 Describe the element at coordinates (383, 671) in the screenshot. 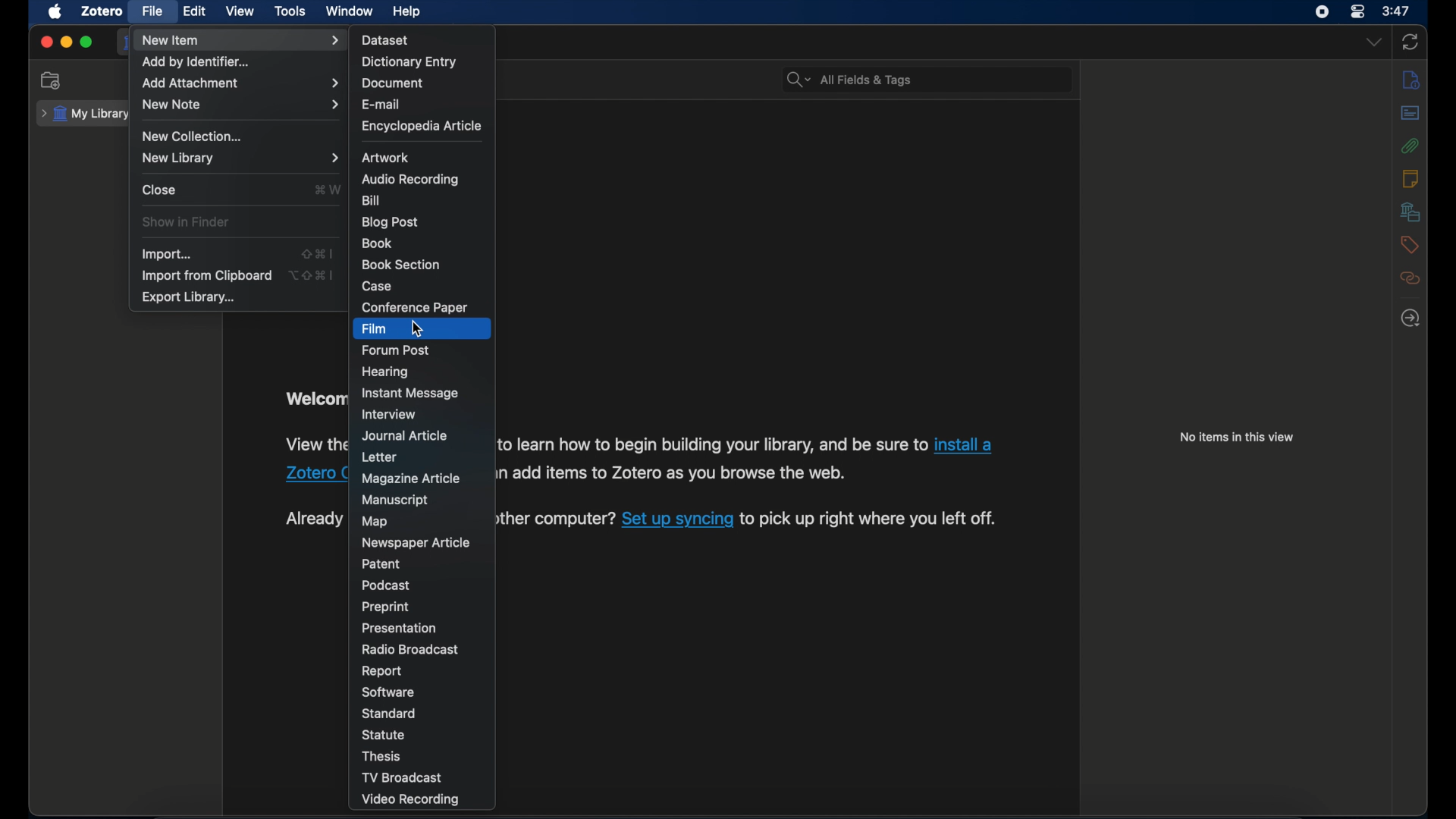

I see `report` at that location.